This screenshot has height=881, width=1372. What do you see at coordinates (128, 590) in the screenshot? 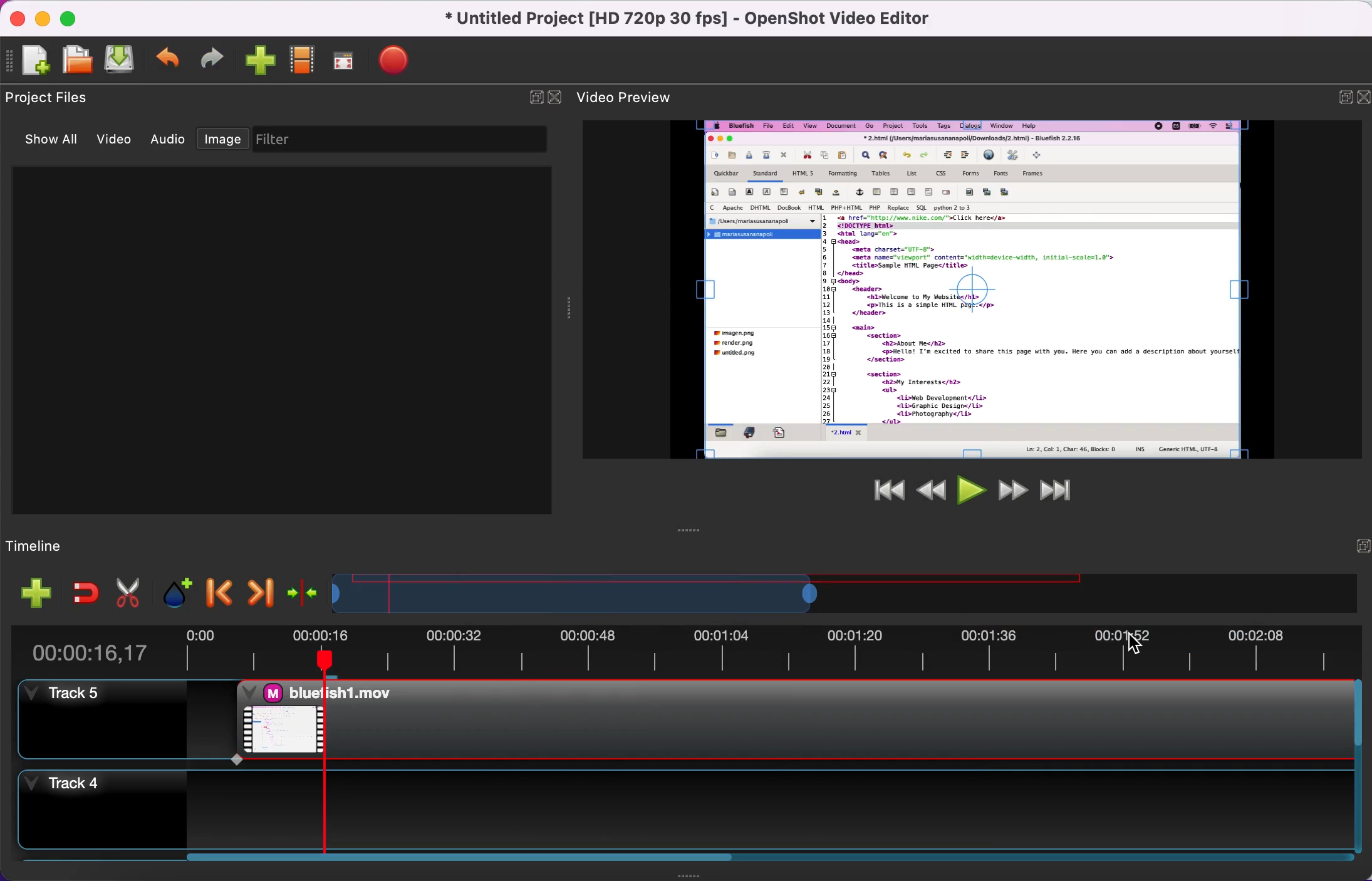
I see `cut` at bounding box center [128, 590].